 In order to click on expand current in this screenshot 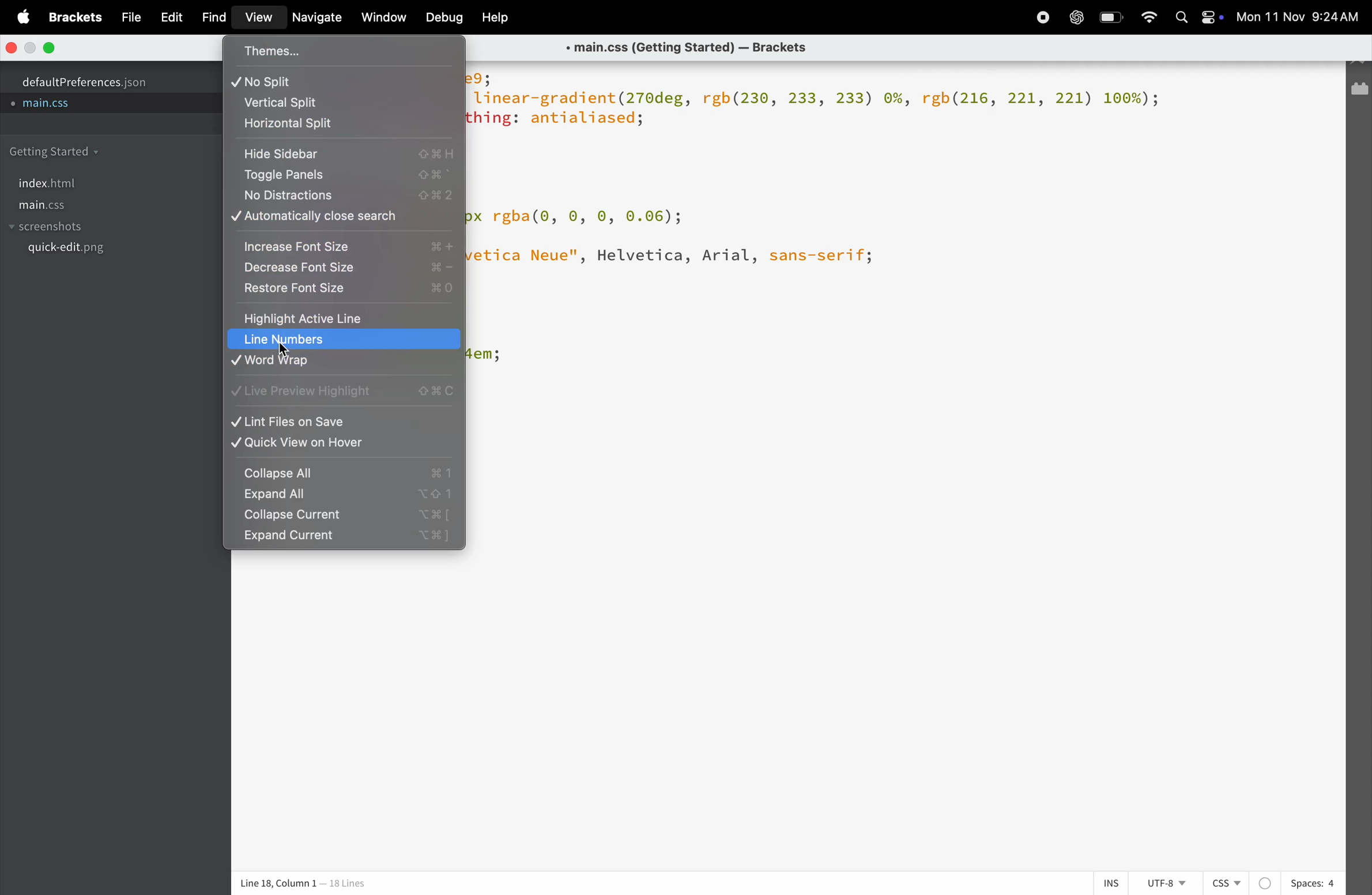, I will do `click(348, 539)`.